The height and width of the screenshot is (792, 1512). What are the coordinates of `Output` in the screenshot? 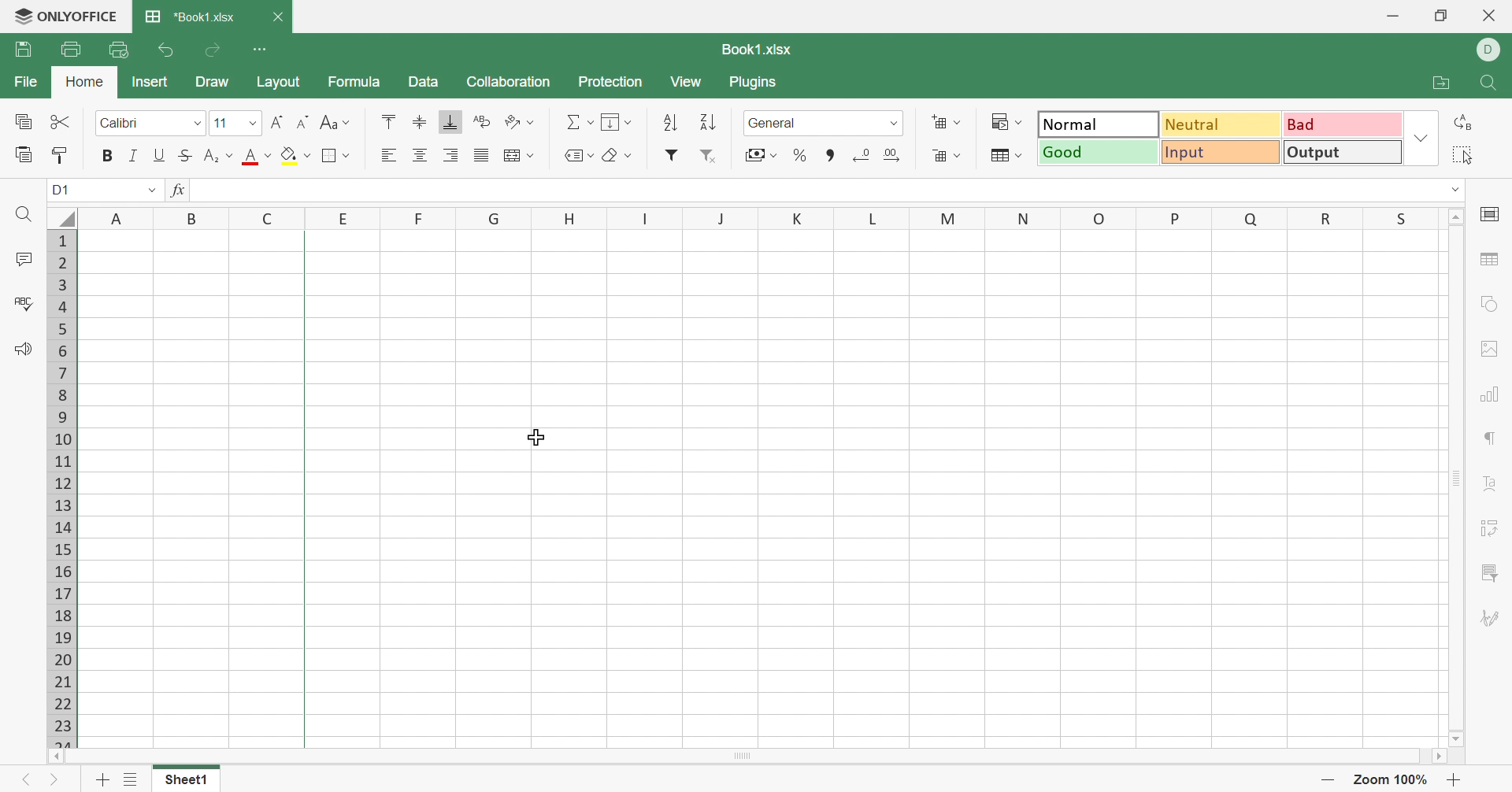 It's located at (1343, 152).